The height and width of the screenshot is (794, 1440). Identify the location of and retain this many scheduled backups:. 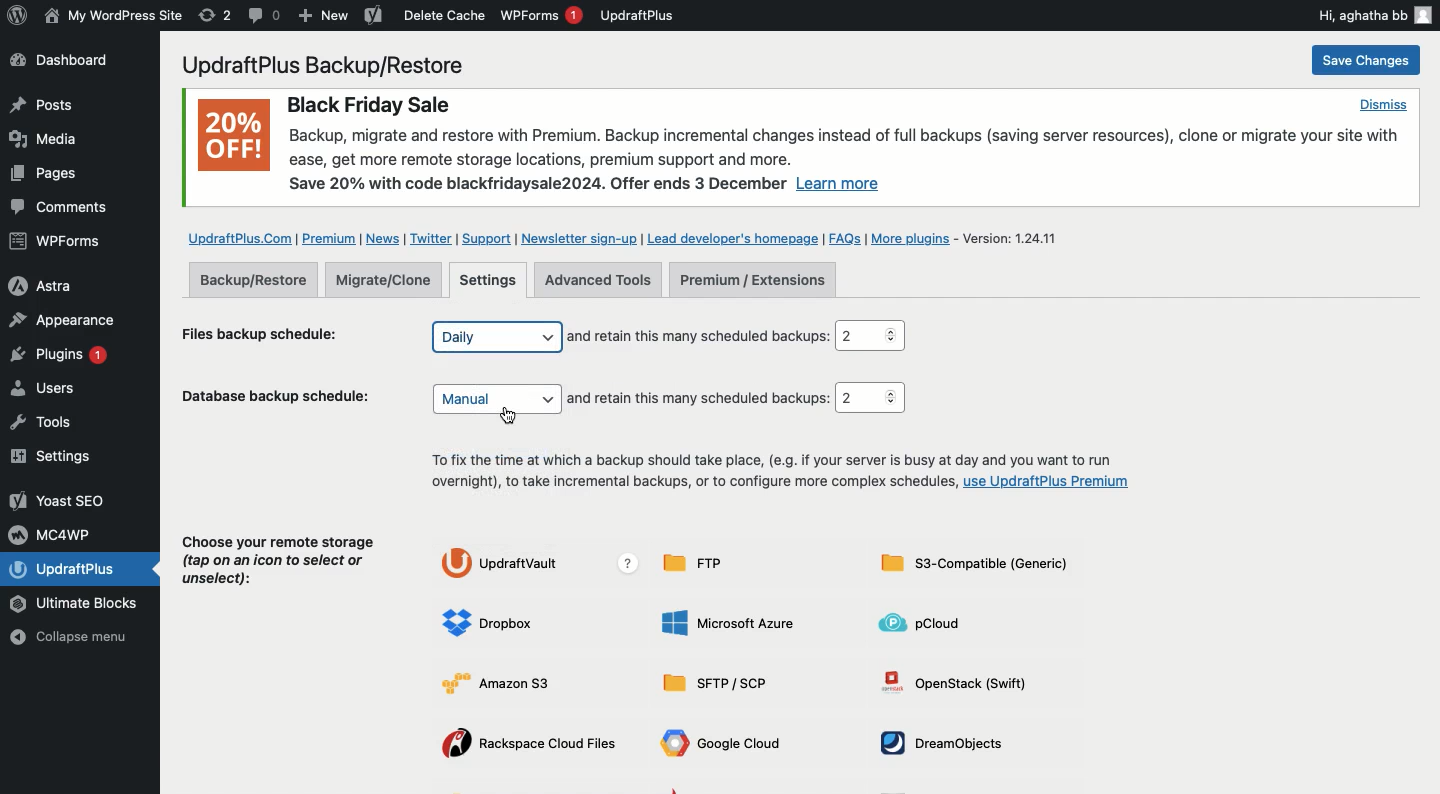
(701, 399).